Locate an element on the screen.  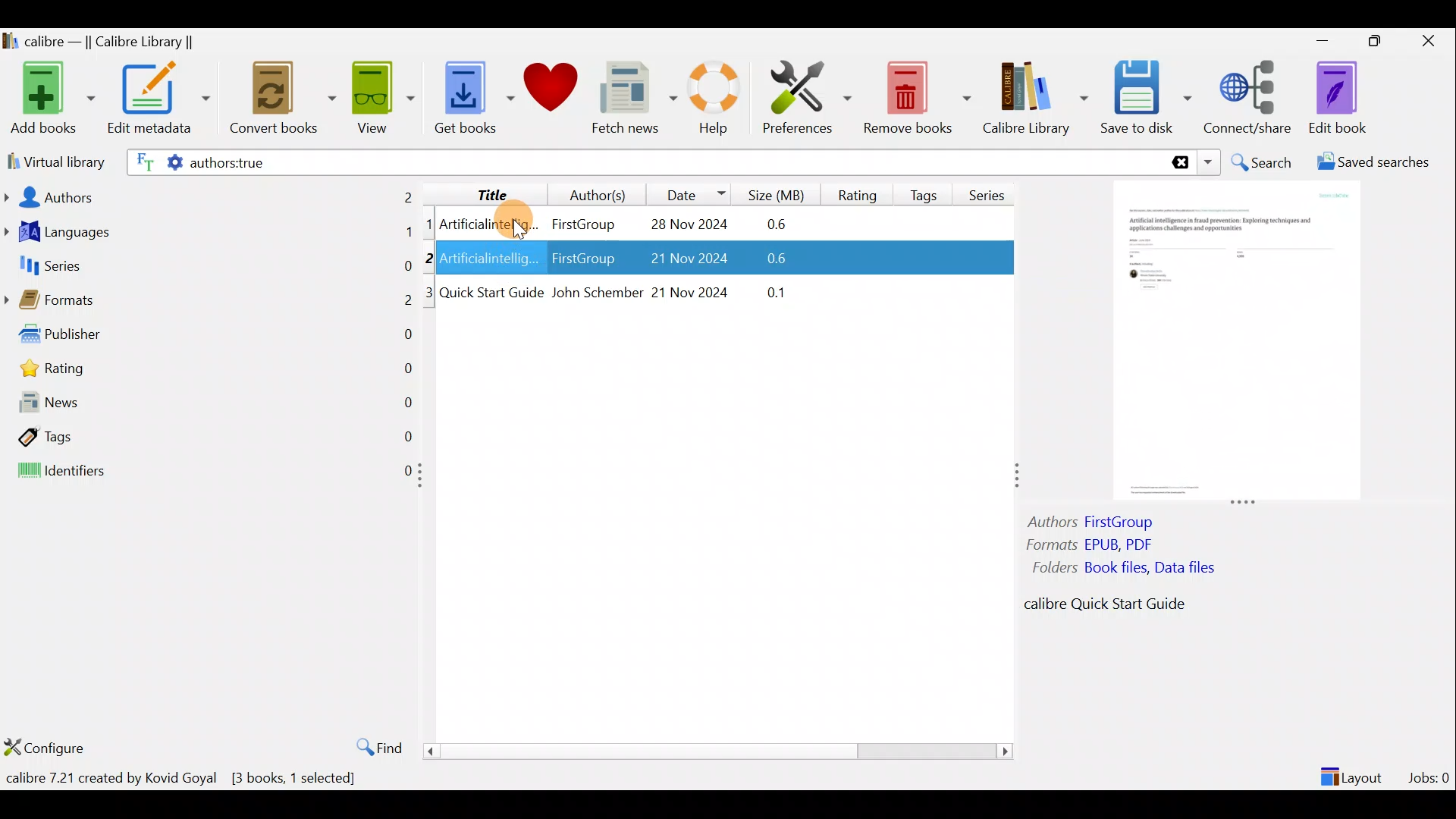
0.6 is located at coordinates (782, 225).